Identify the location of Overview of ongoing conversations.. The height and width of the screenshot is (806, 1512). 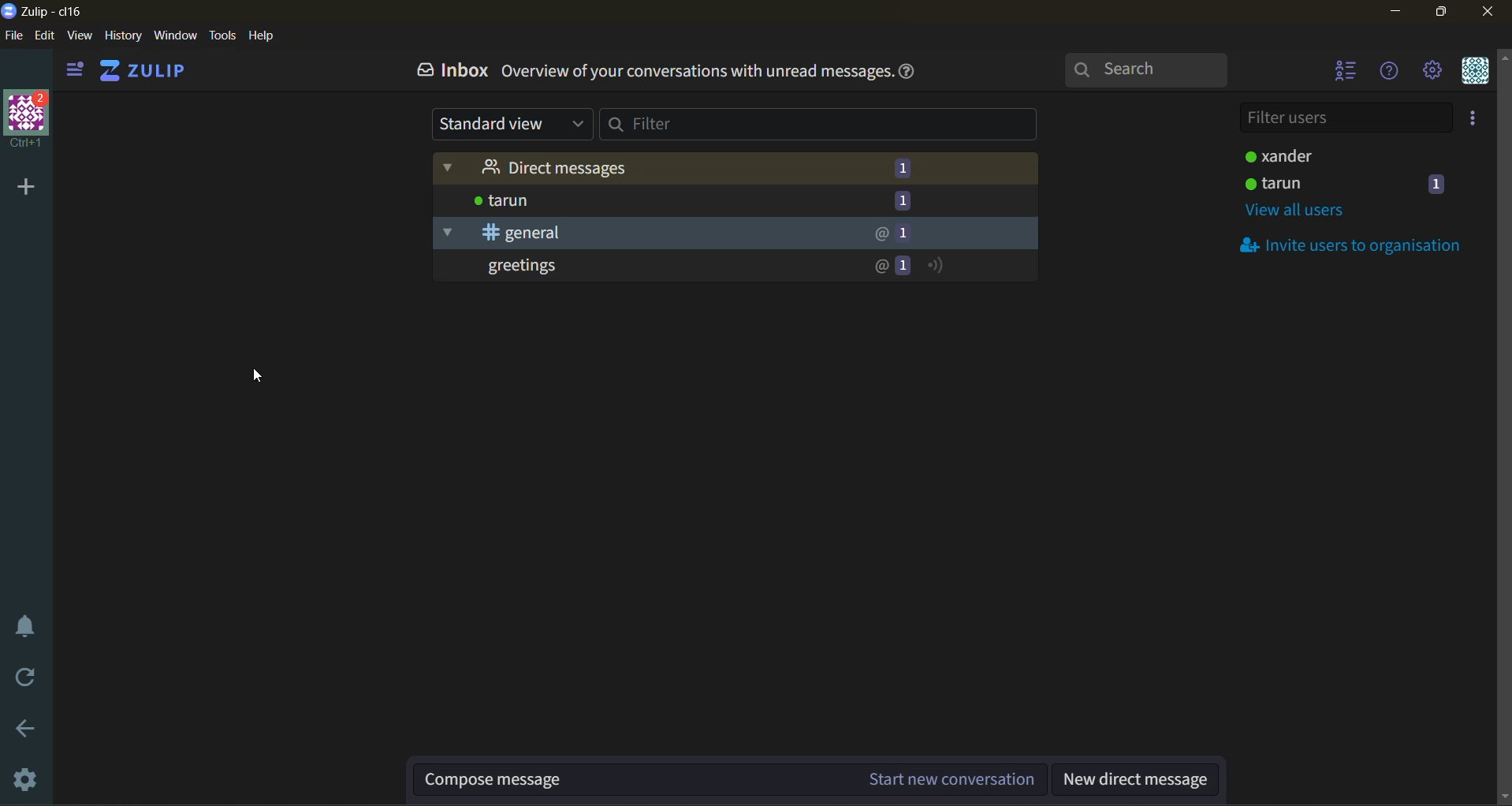
(698, 74).